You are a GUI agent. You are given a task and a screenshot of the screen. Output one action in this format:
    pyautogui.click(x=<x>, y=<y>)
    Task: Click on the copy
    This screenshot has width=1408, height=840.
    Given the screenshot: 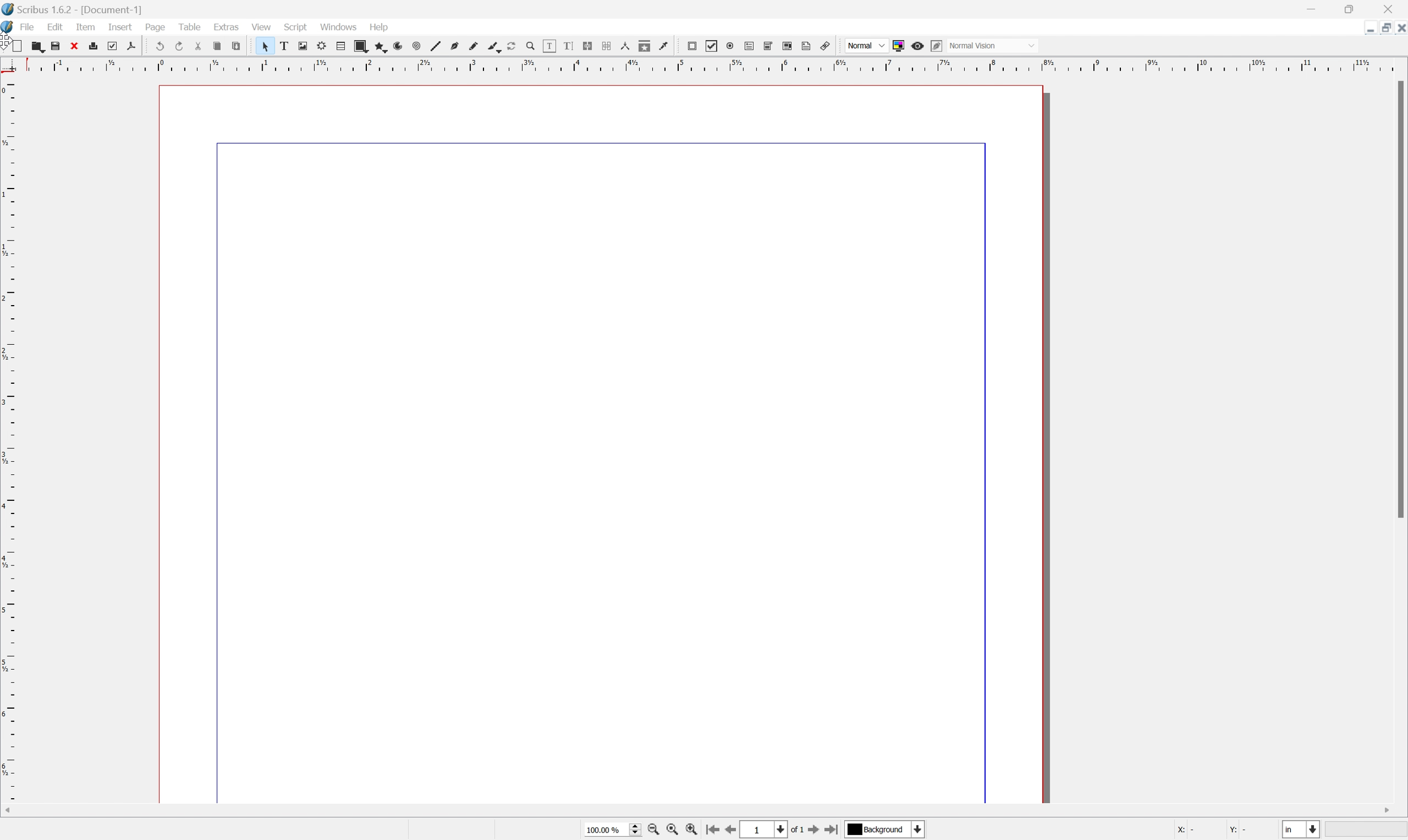 What is the action you would take?
    pyautogui.click(x=218, y=46)
    